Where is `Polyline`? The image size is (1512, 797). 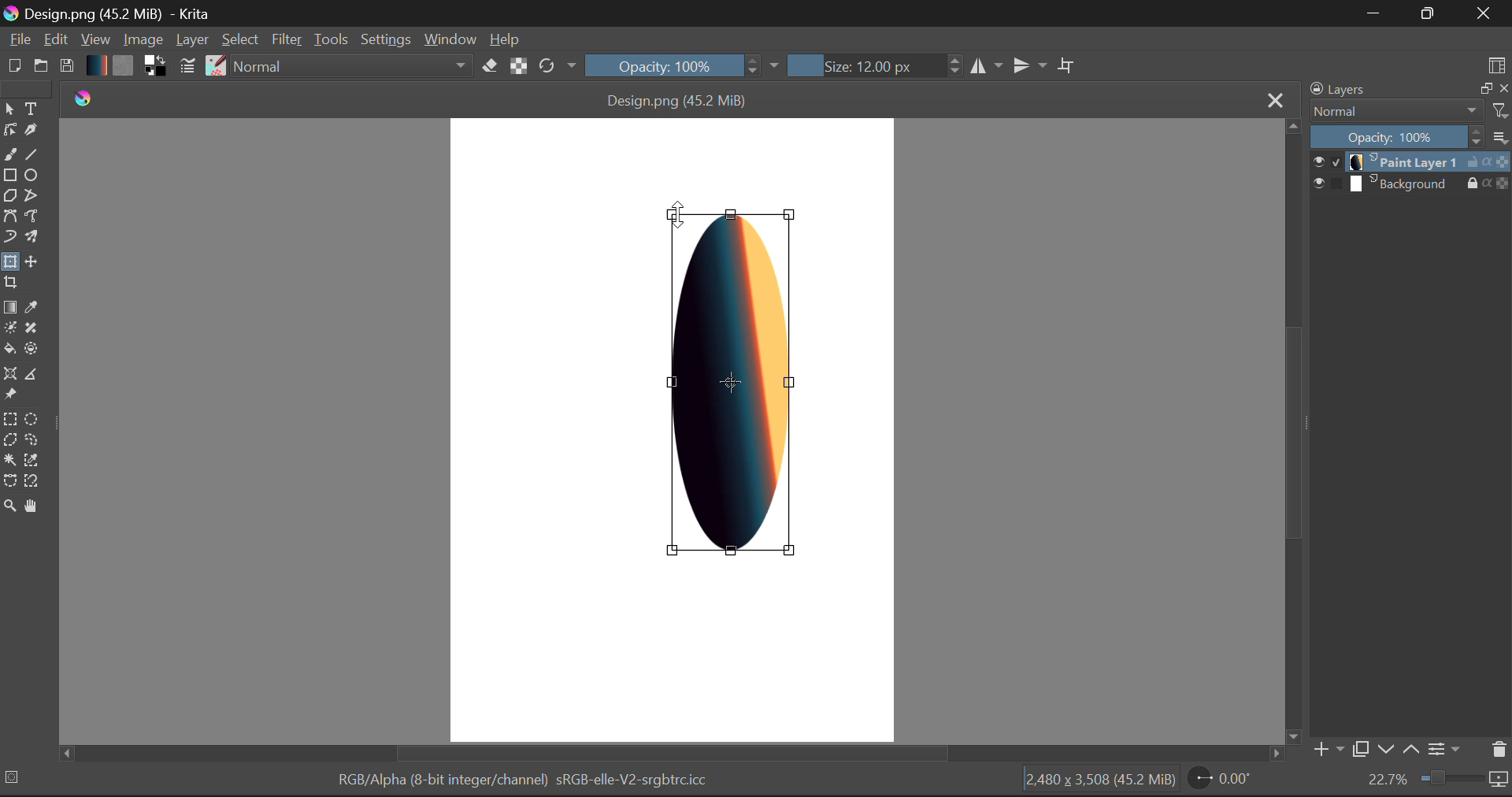 Polyline is located at coordinates (32, 197).